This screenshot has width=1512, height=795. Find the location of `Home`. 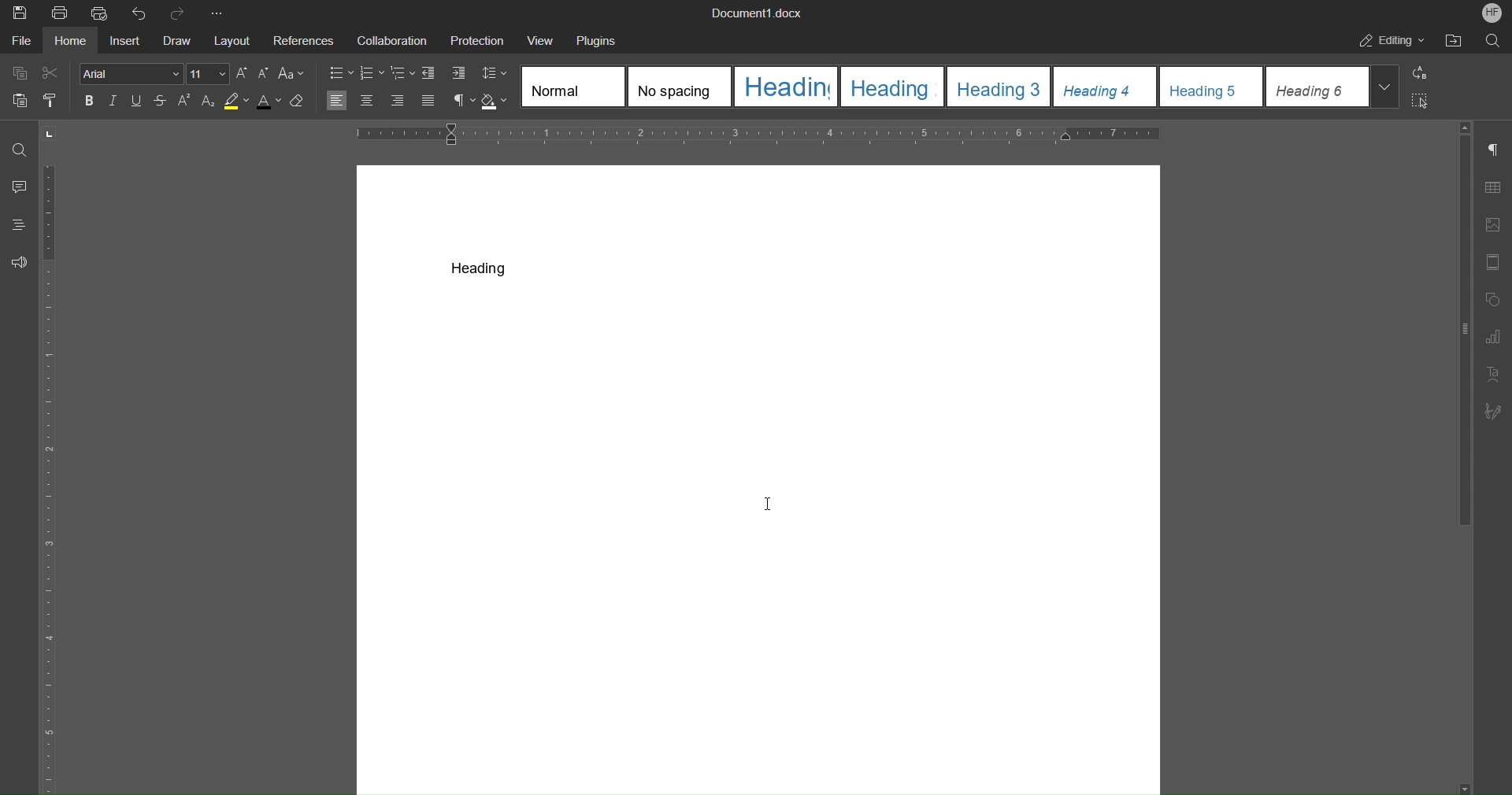

Home is located at coordinates (72, 44).